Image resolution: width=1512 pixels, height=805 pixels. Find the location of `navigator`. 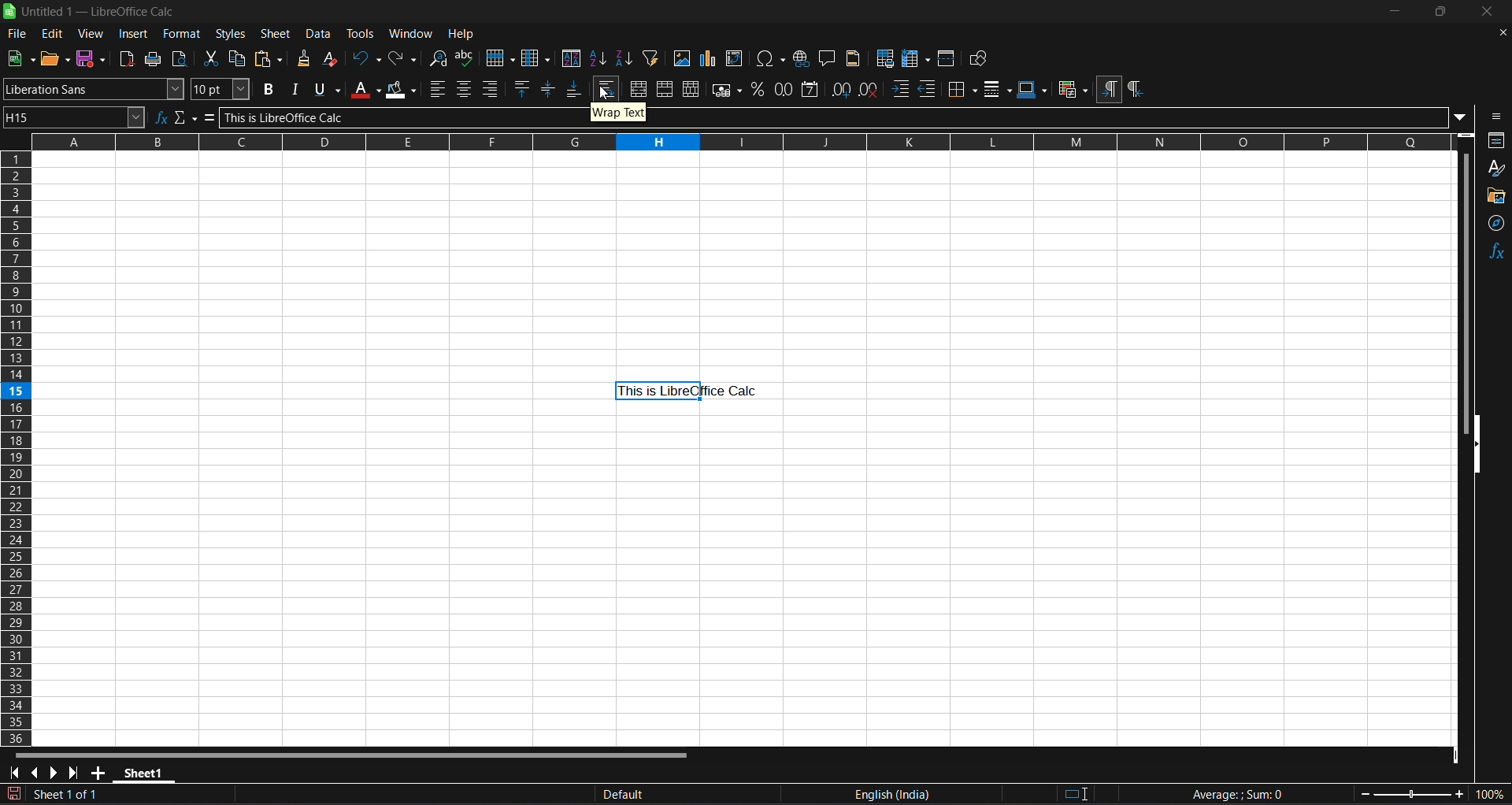

navigator is located at coordinates (1494, 225).